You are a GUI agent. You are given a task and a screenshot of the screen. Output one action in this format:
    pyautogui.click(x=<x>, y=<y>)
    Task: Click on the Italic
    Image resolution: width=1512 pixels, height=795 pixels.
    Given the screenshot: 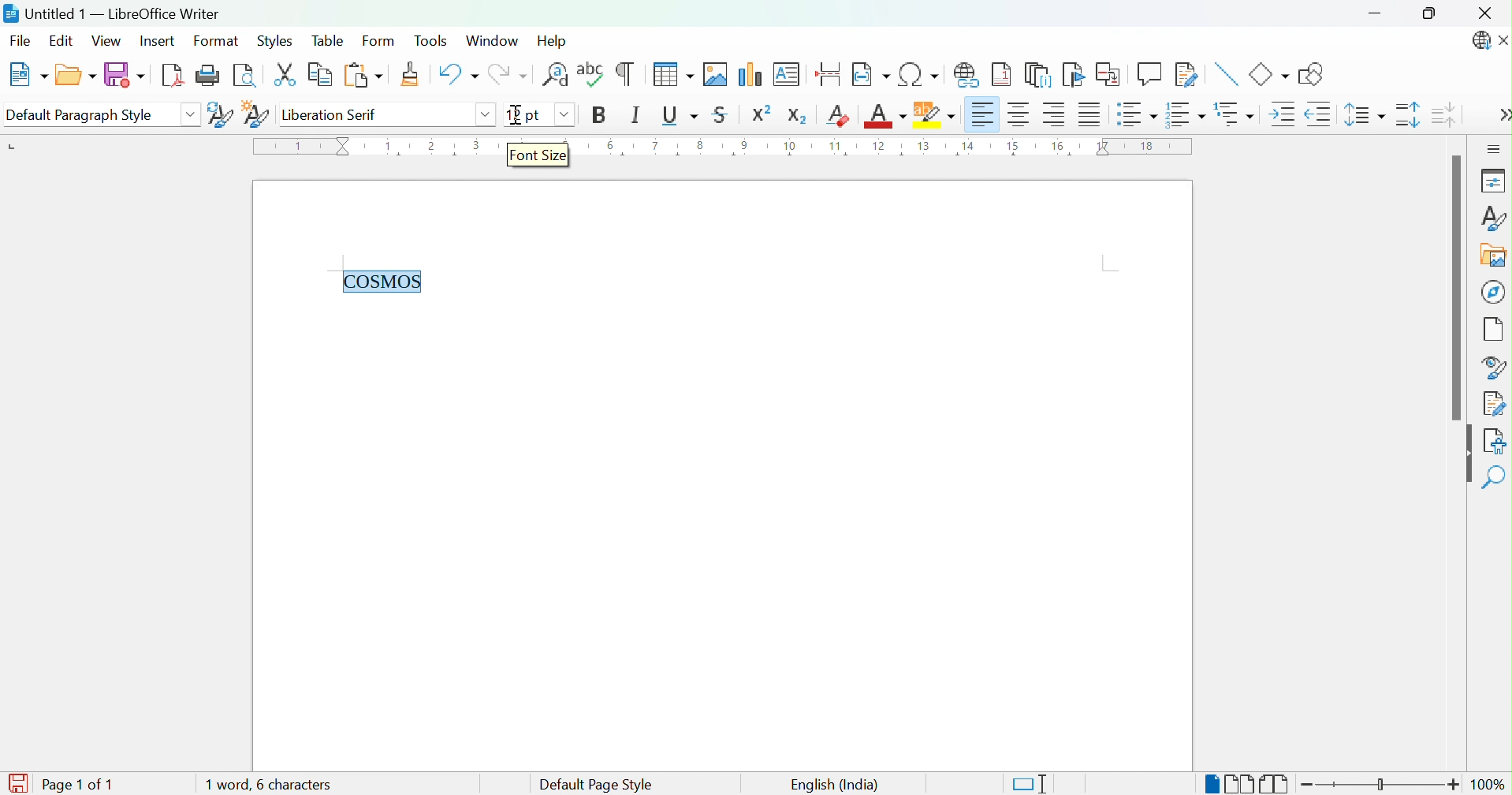 What is the action you would take?
    pyautogui.click(x=635, y=114)
    